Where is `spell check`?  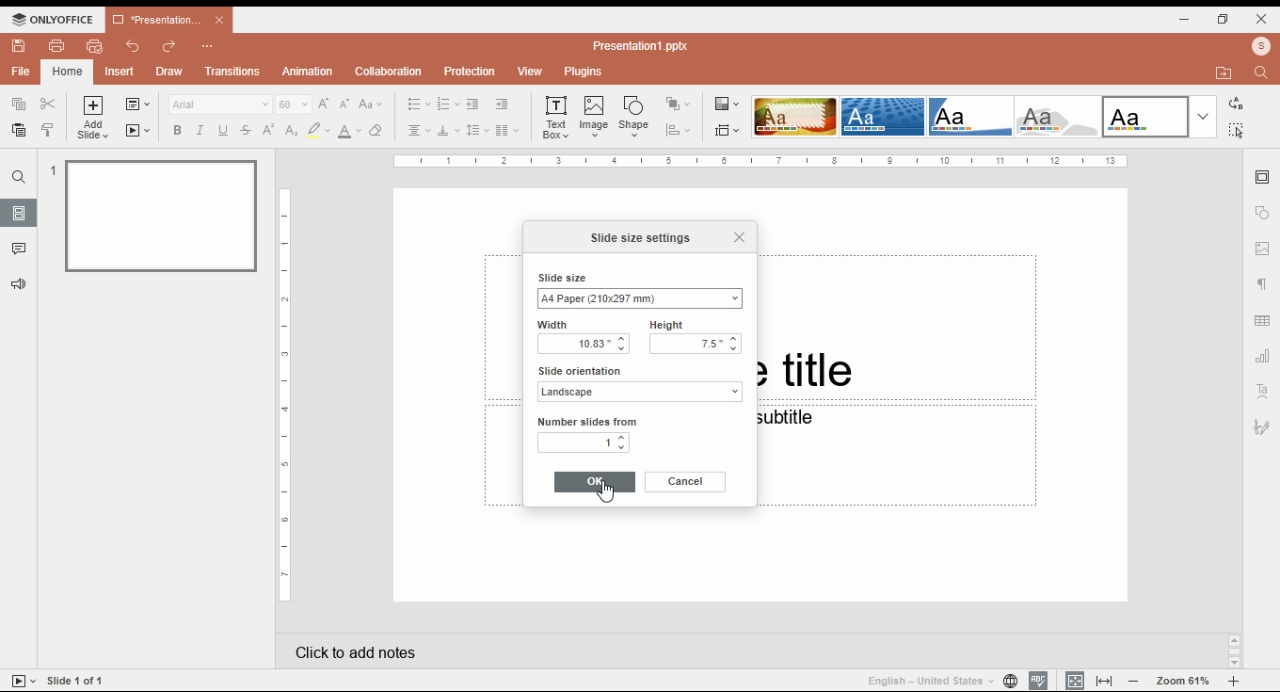 spell check is located at coordinates (1038, 680).